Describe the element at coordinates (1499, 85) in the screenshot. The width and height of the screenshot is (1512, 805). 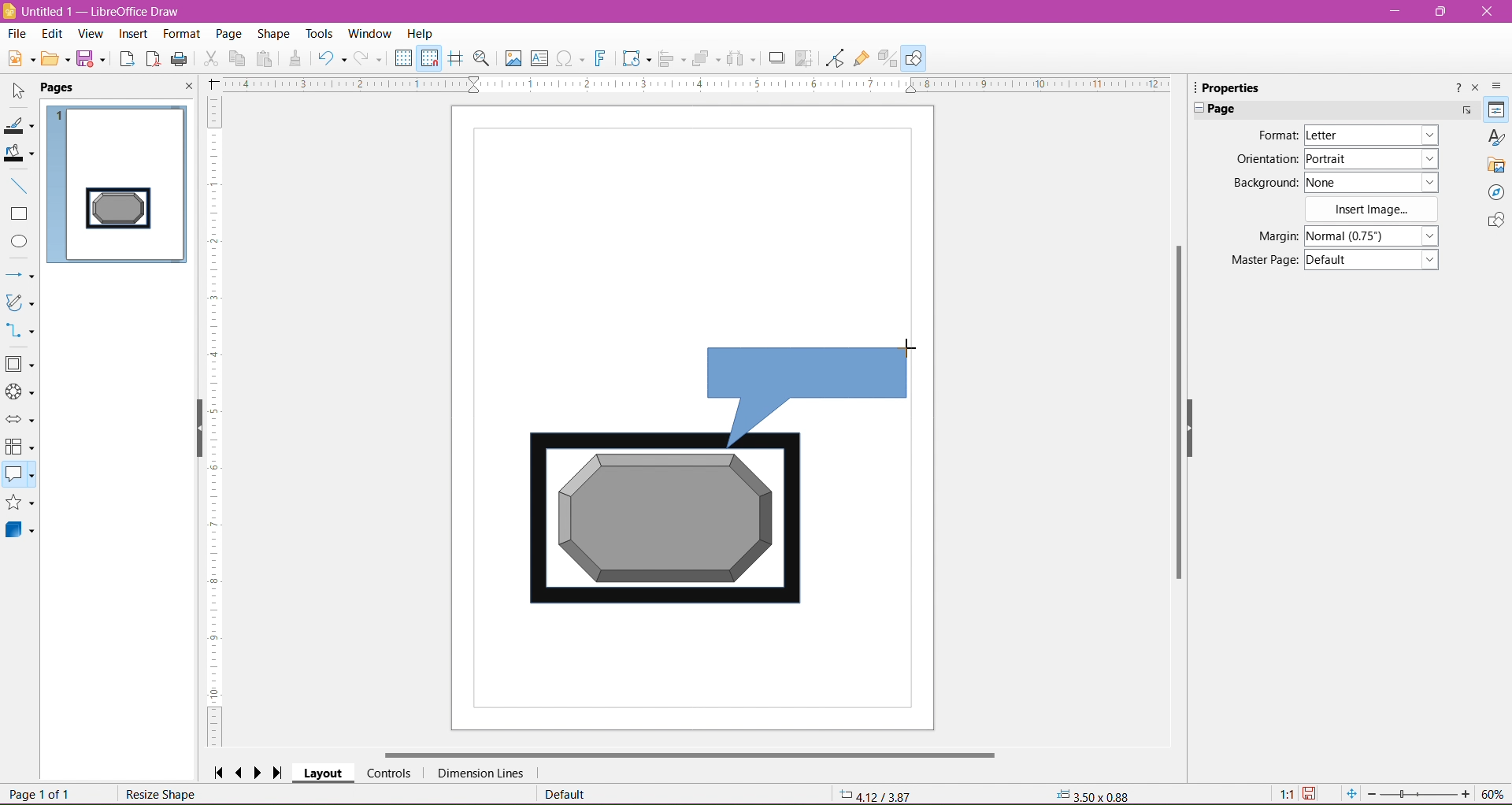
I see `Sidebar settings` at that location.